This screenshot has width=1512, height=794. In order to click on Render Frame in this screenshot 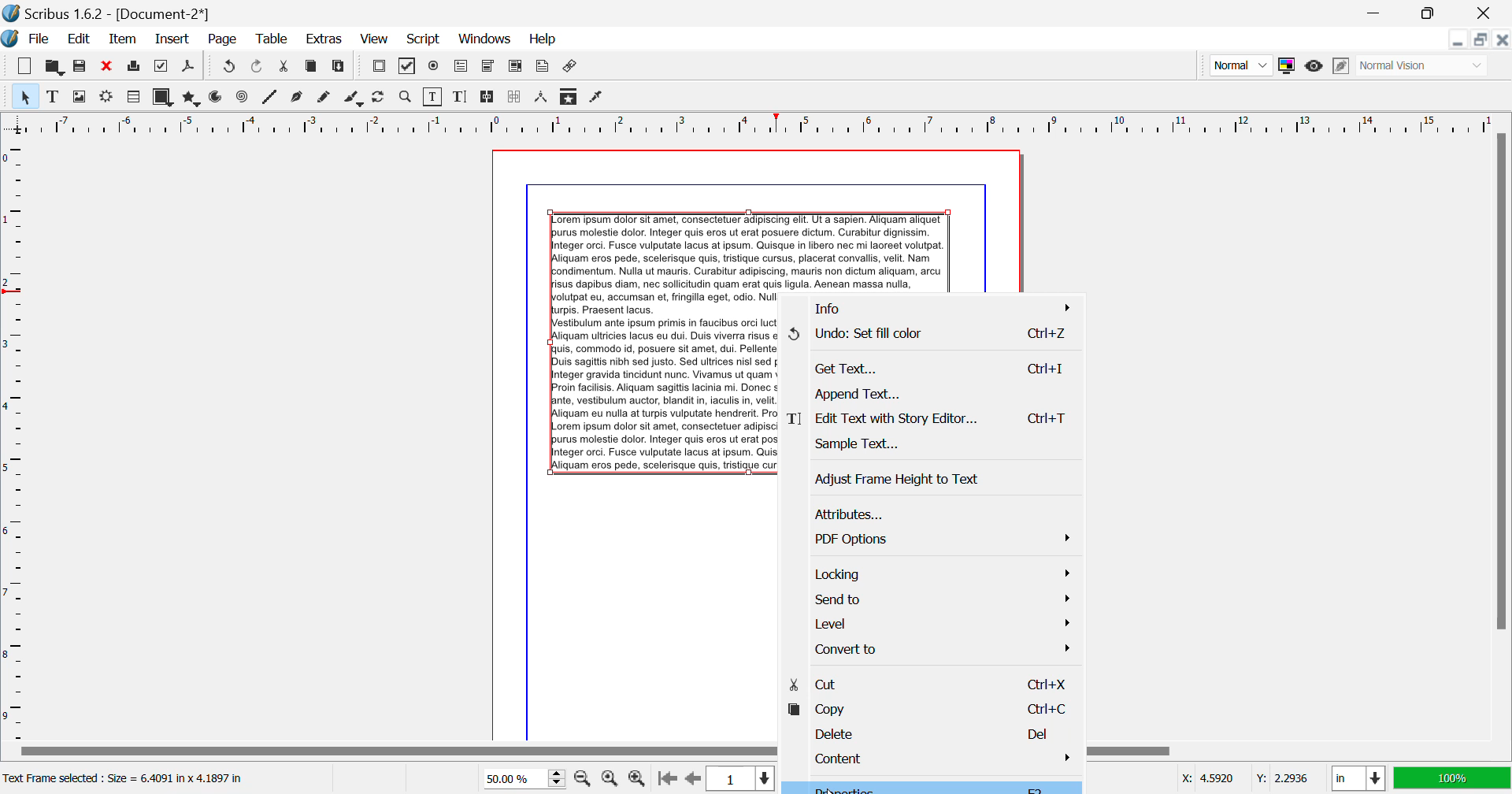, I will do `click(106, 98)`.